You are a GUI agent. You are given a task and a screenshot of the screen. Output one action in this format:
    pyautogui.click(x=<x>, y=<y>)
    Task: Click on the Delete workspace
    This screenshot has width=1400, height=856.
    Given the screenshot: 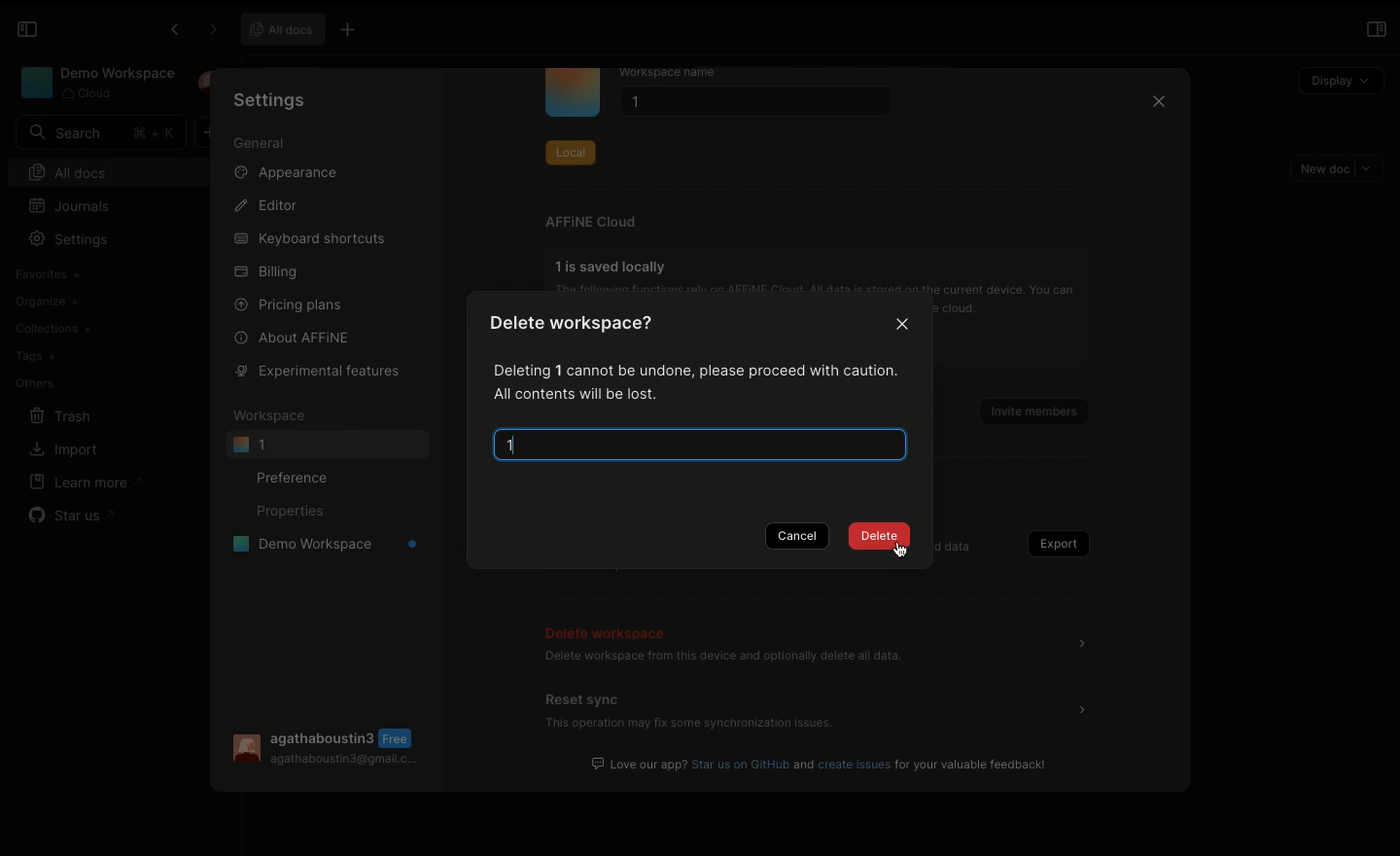 What is the action you would take?
    pyautogui.click(x=610, y=630)
    